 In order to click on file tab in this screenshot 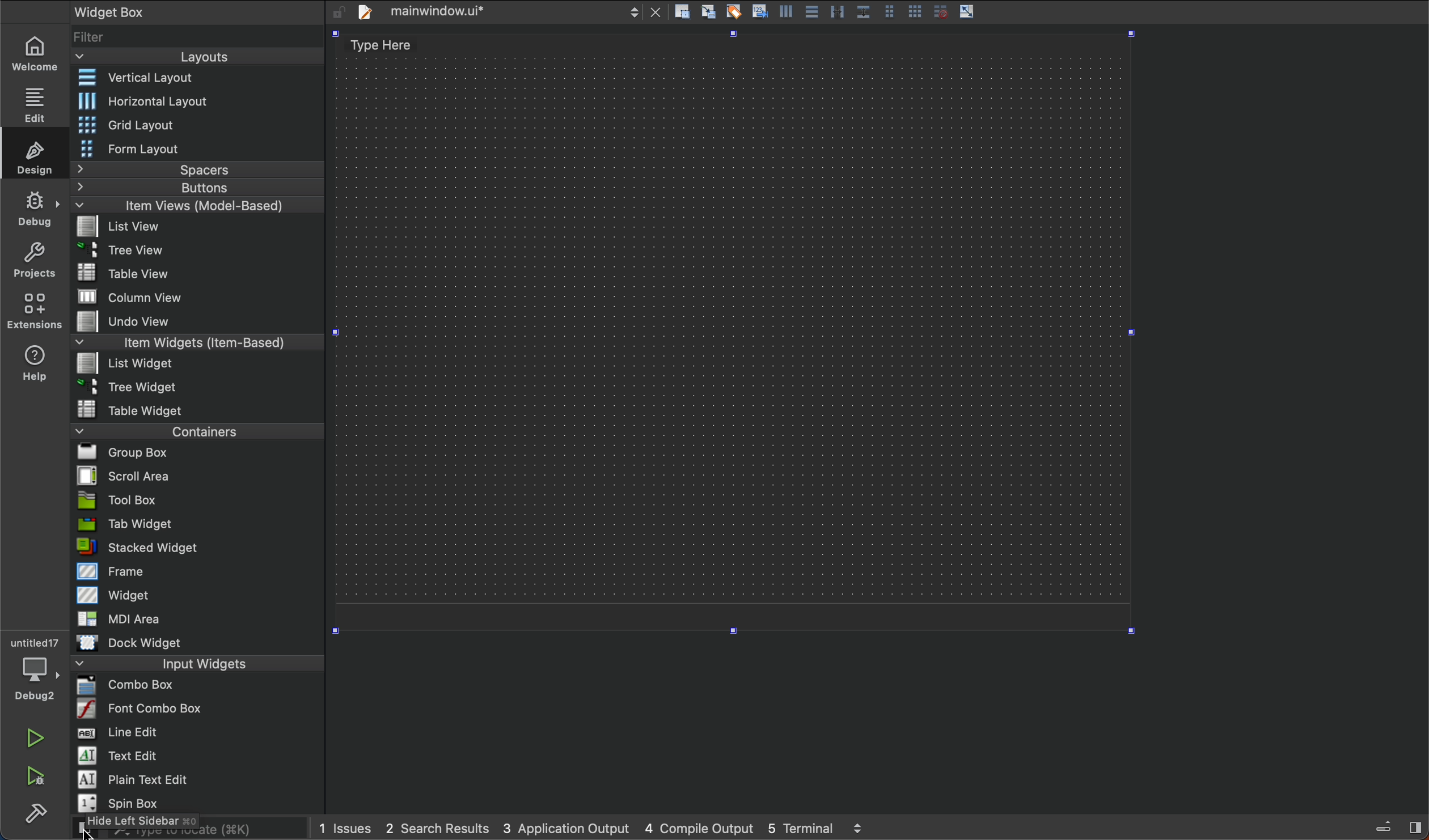, I will do `click(498, 12)`.